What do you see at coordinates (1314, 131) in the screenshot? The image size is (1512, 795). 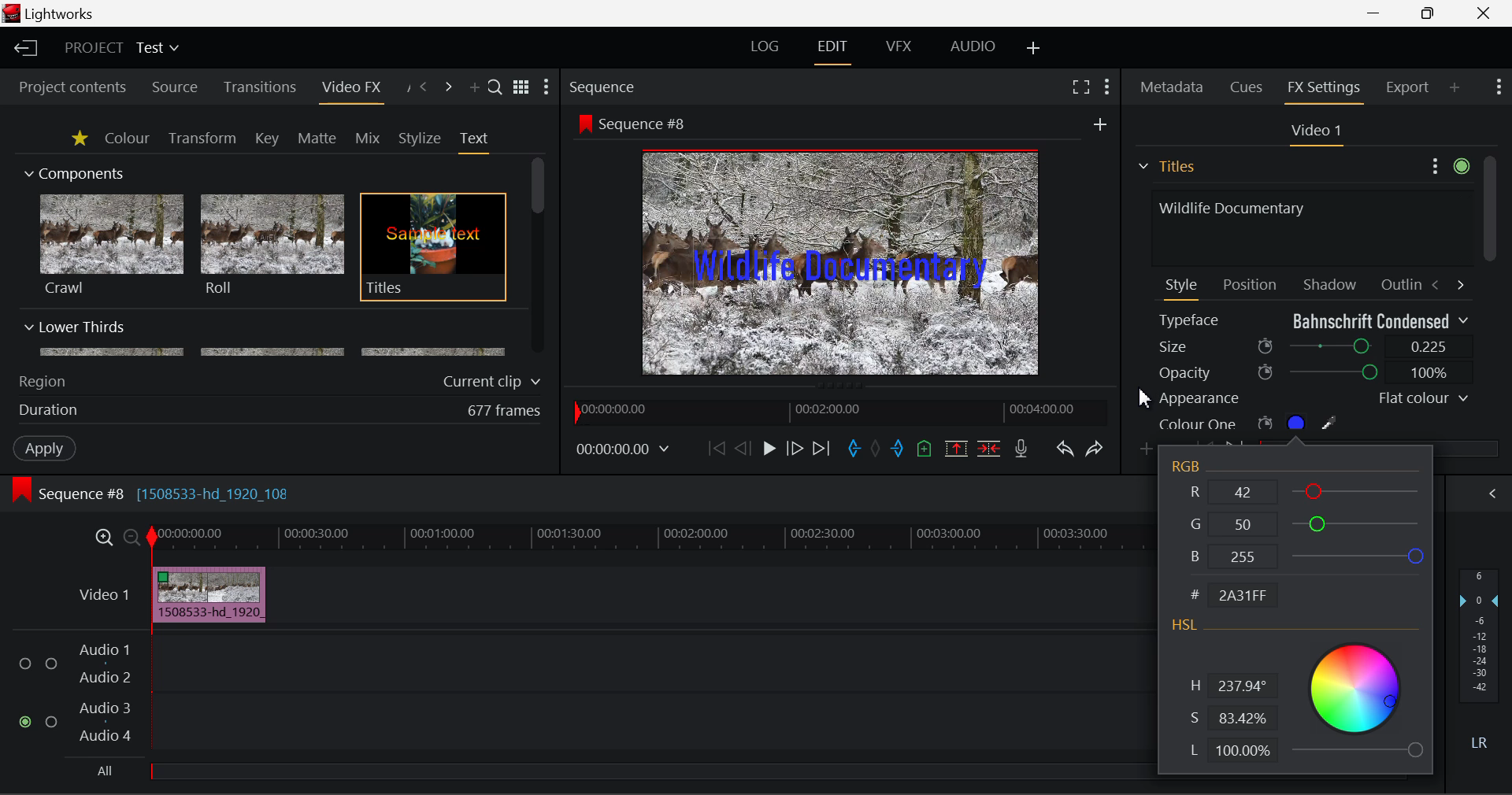 I see `Video 1` at bounding box center [1314, 131].